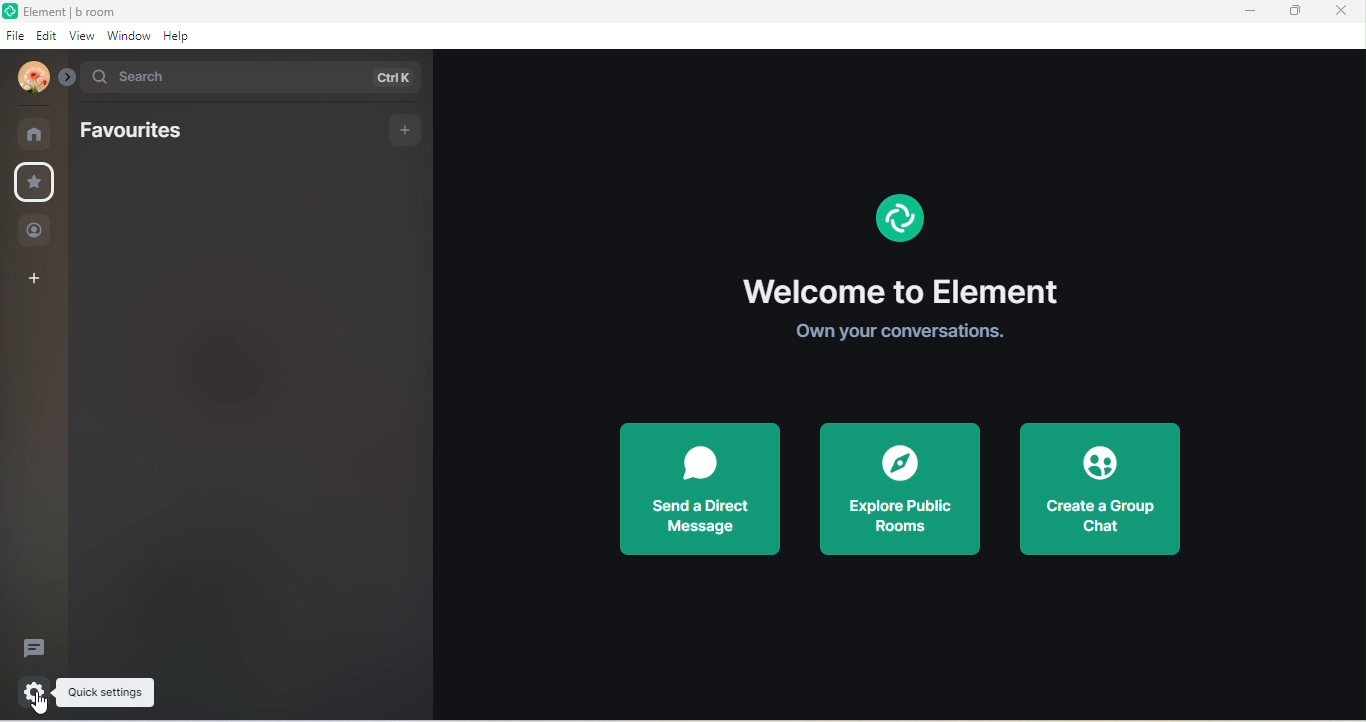 The image size is (1366, 722). Describe the element at coordinates (37, 705) in the screenshot. I see `cursor` at that location.